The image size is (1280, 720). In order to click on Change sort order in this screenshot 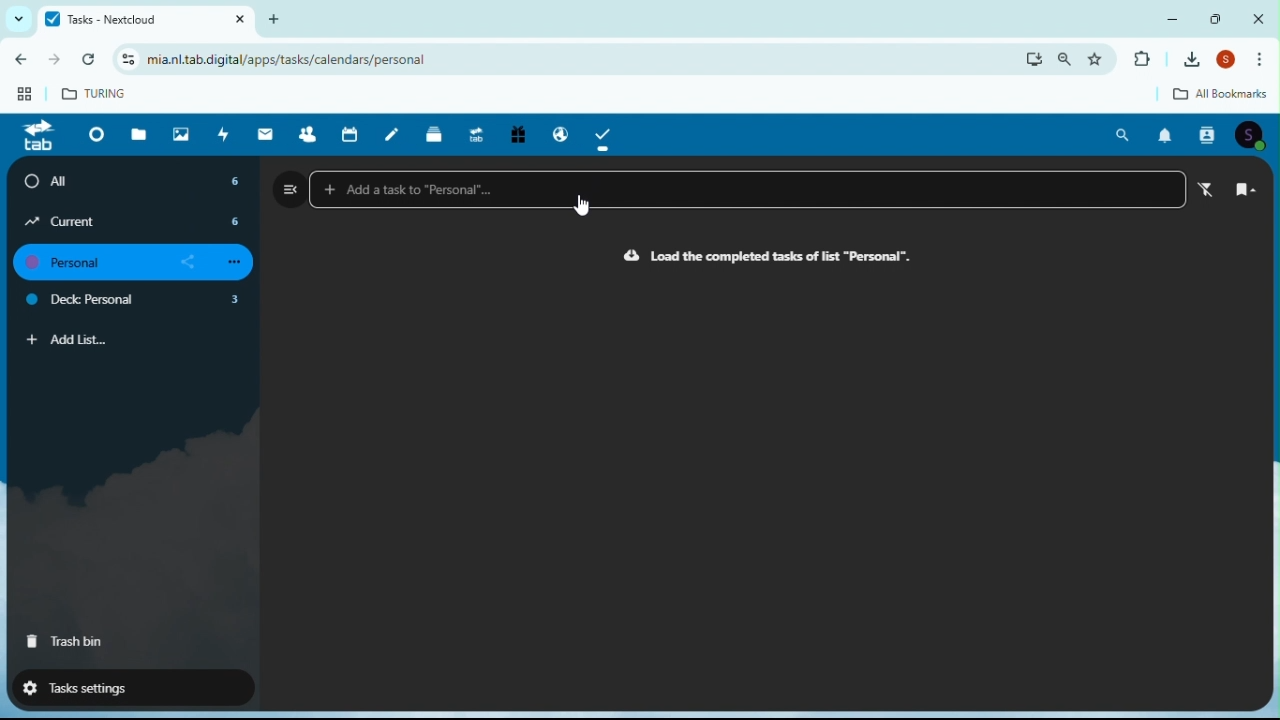, I will do `click(1246, 191)`.